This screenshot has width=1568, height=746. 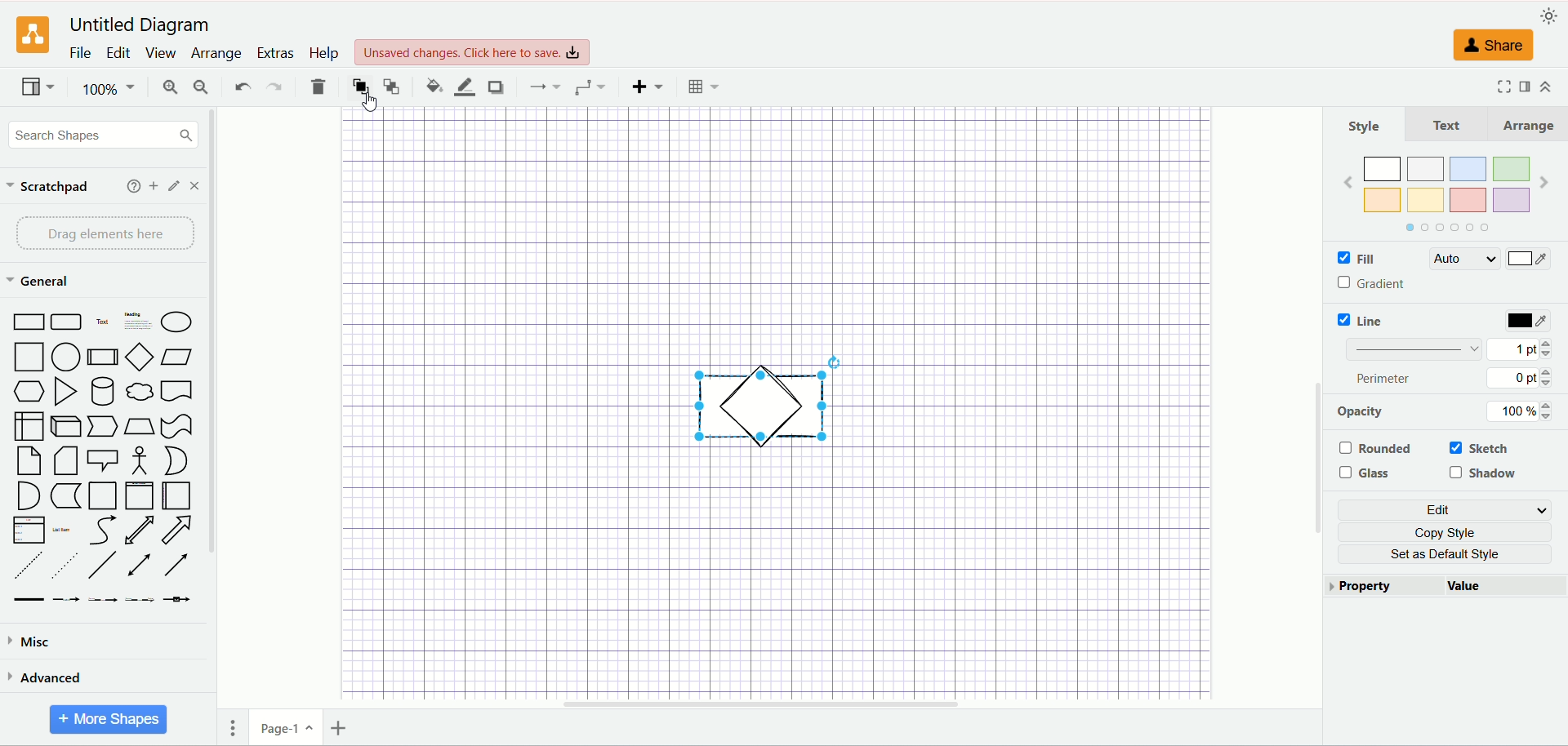 I want to click on Connector, so click(x=72, y=599).